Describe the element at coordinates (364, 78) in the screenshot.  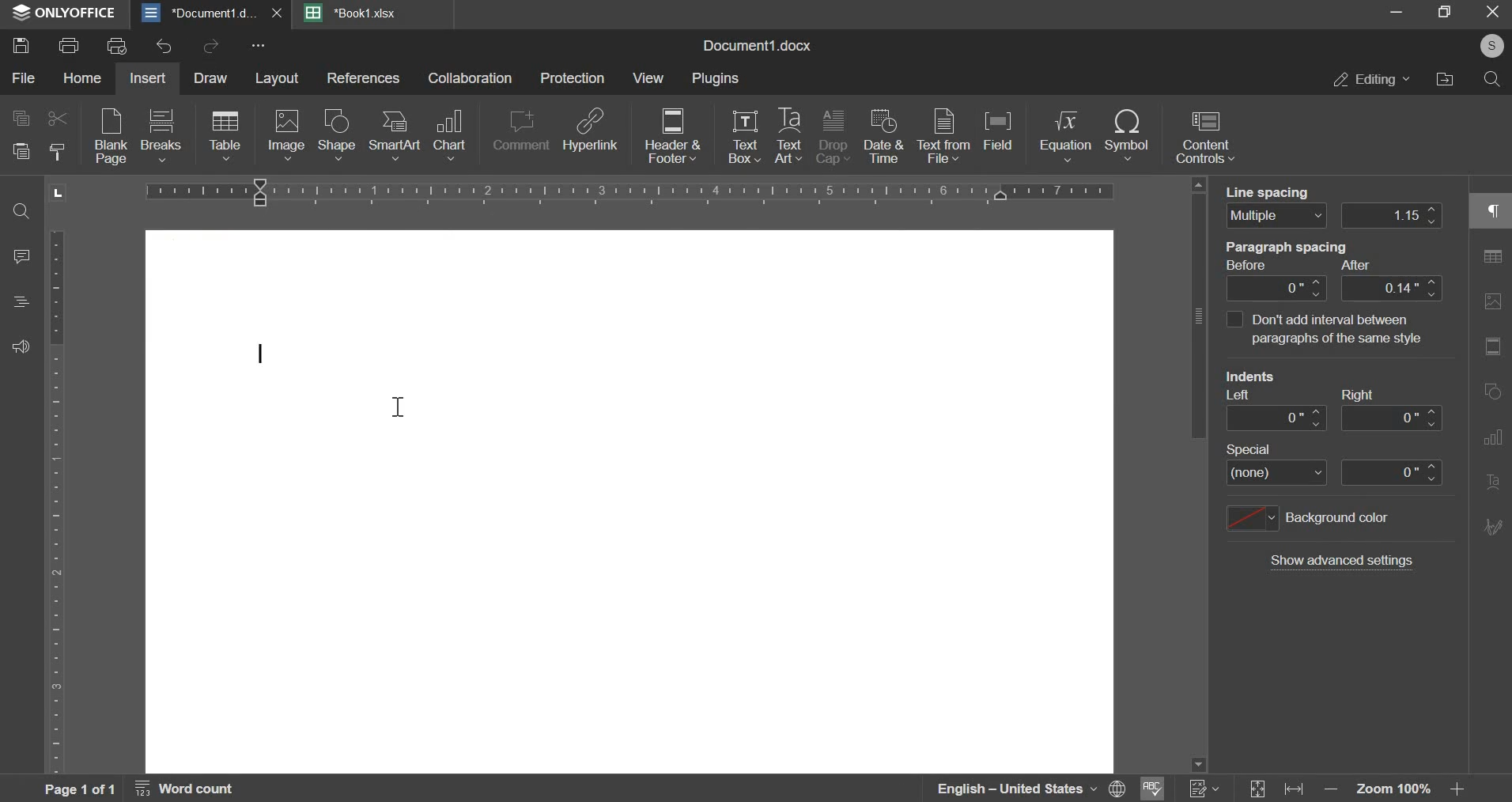
I see `references` at that location.